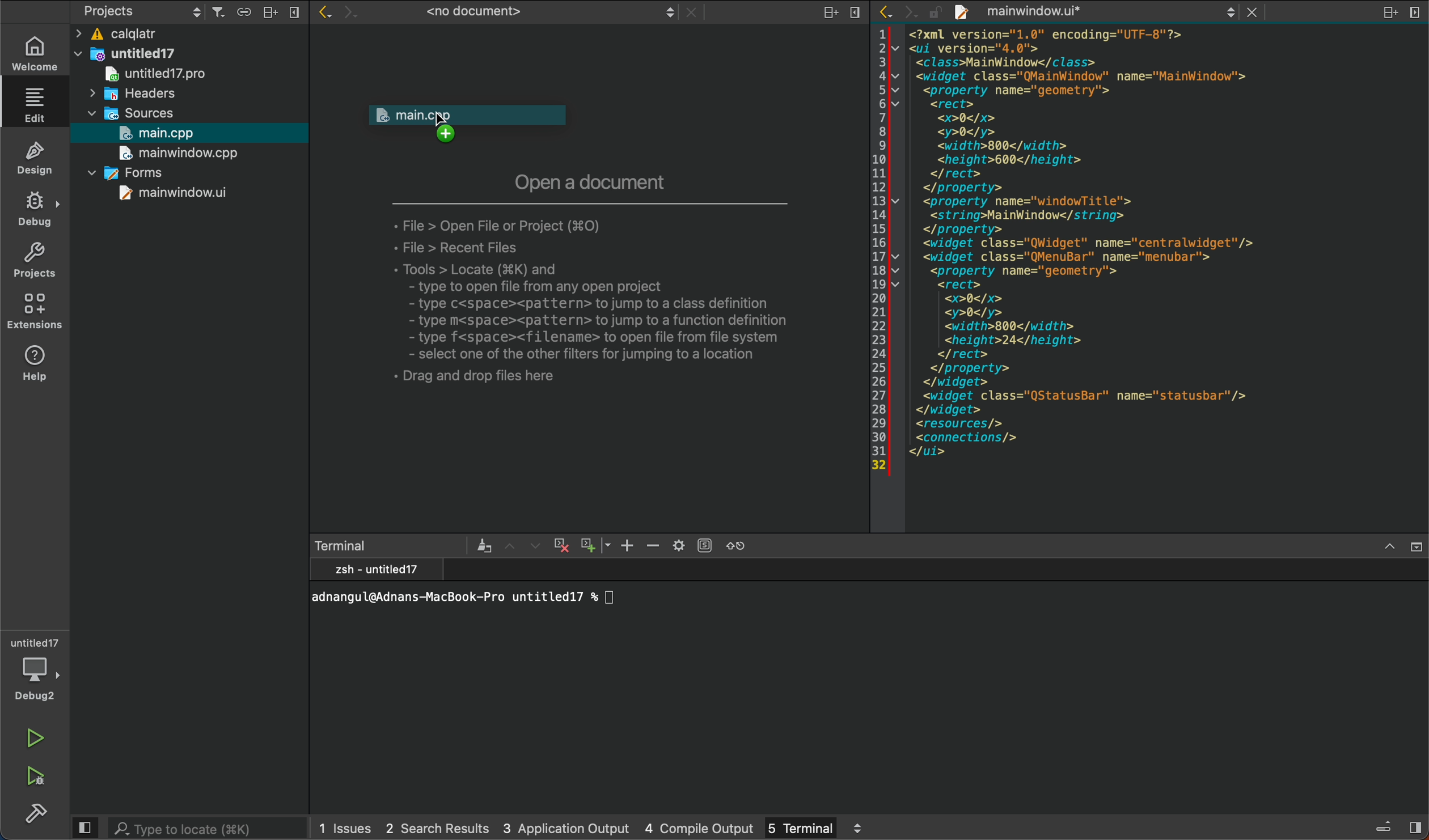 This screenshot has width=1429, height=840. Describe the element at coordinates (1414, 12) in the screenshot. I see `remove split` at that location.